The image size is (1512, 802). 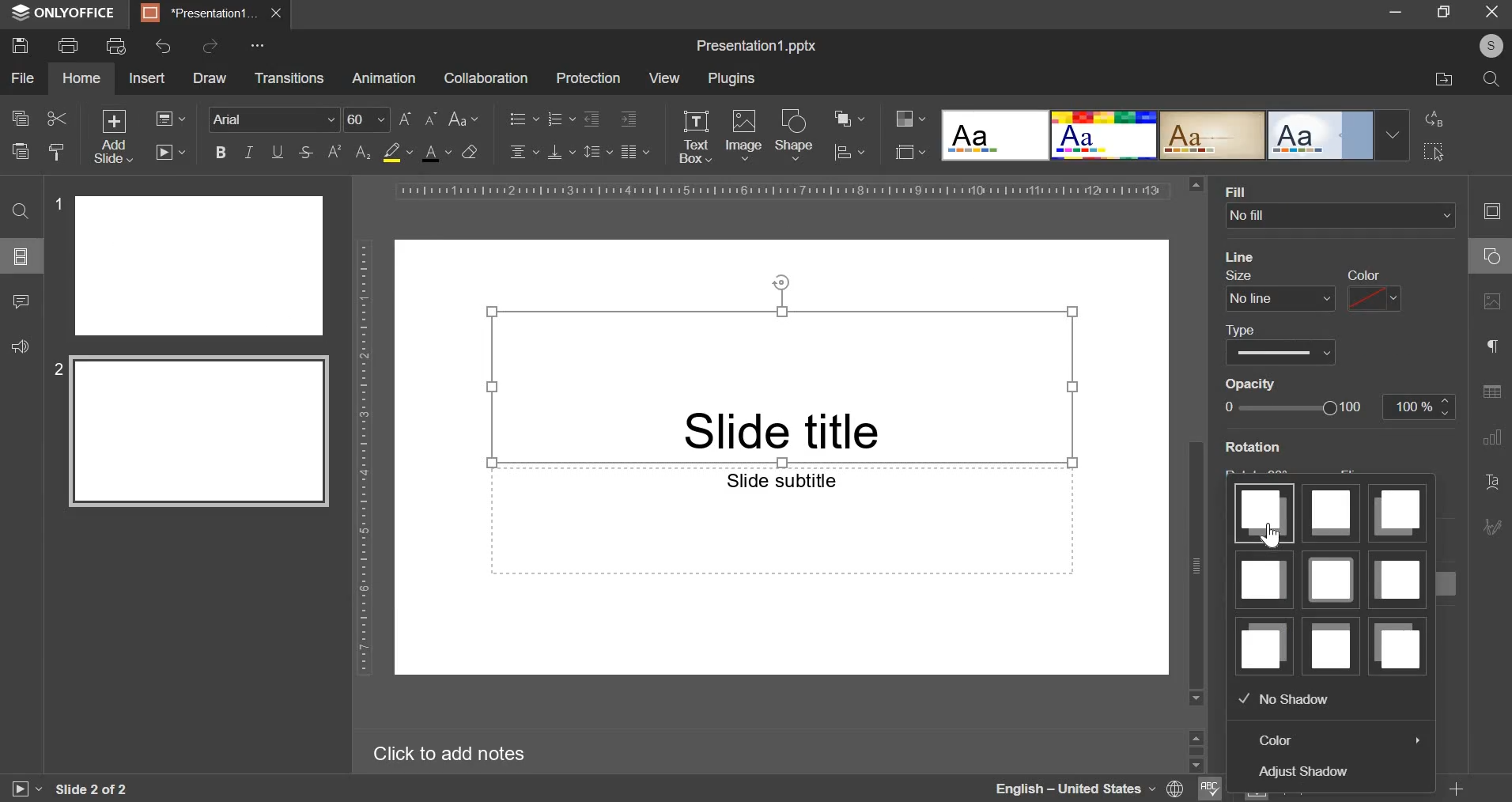 What do you see at coordinates (1497, 522) in the screenshot?
I see `draw tools` at bounding box center [1497, 522].